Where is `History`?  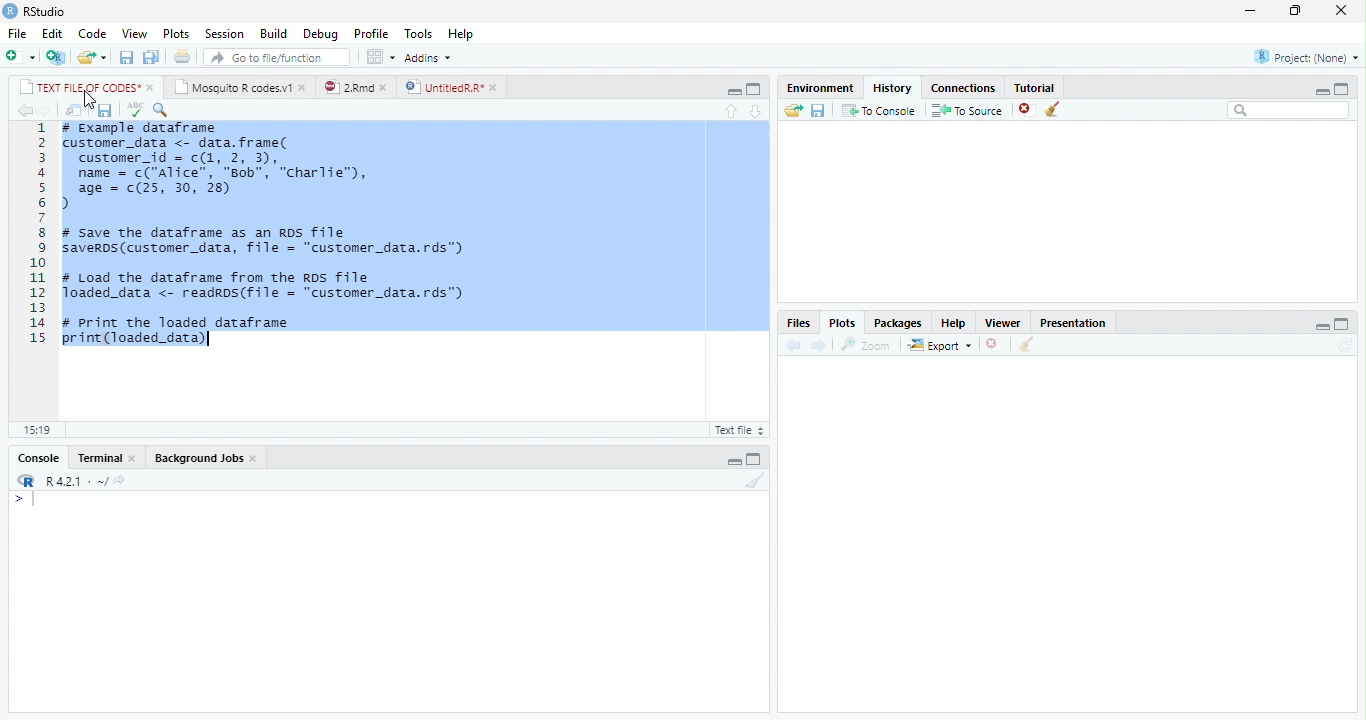 History is located at coordinates (892, 87).